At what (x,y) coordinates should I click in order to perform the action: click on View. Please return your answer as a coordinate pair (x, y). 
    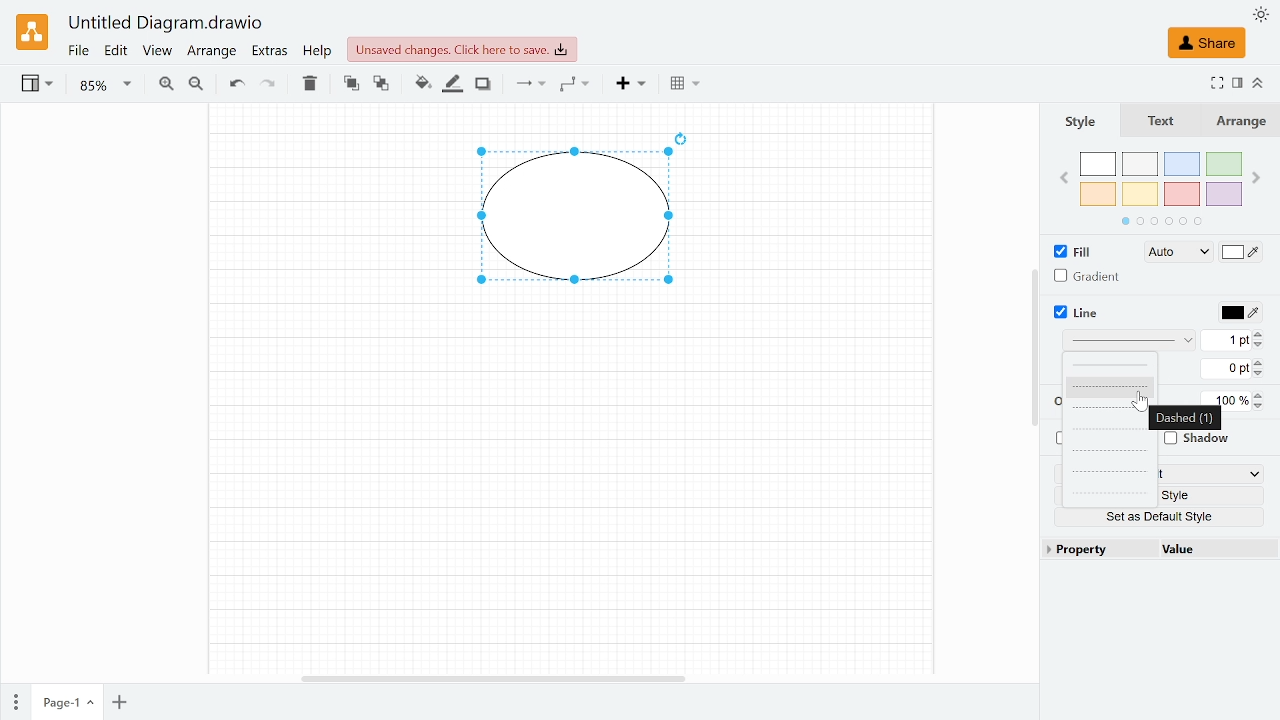
    Looking at the image, I should click on (39, 86).